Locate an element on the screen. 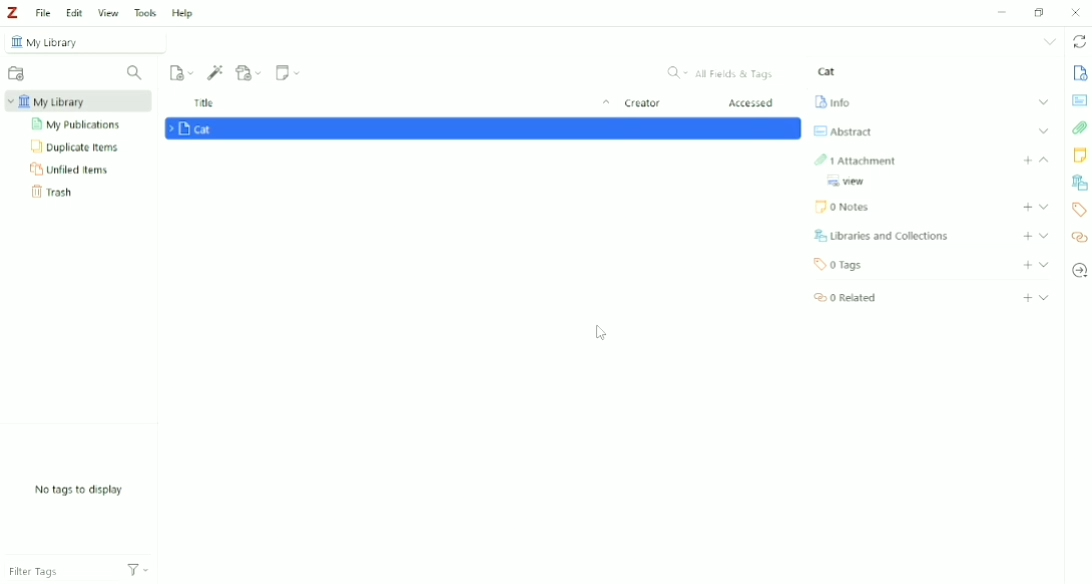  Duplicate Items is located at coordinates (76, 146).